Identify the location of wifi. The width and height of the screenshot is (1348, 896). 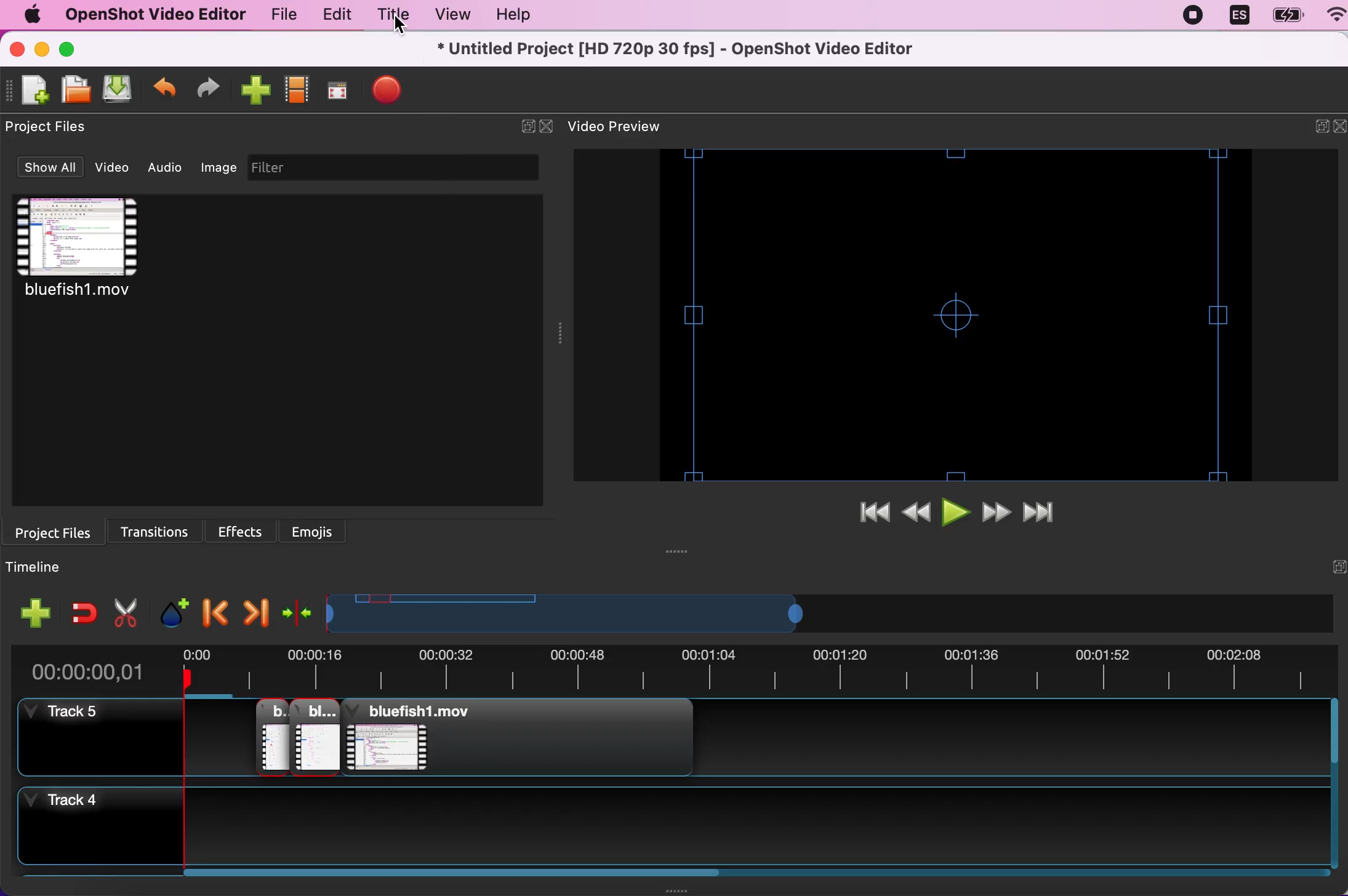
(1330, 17).